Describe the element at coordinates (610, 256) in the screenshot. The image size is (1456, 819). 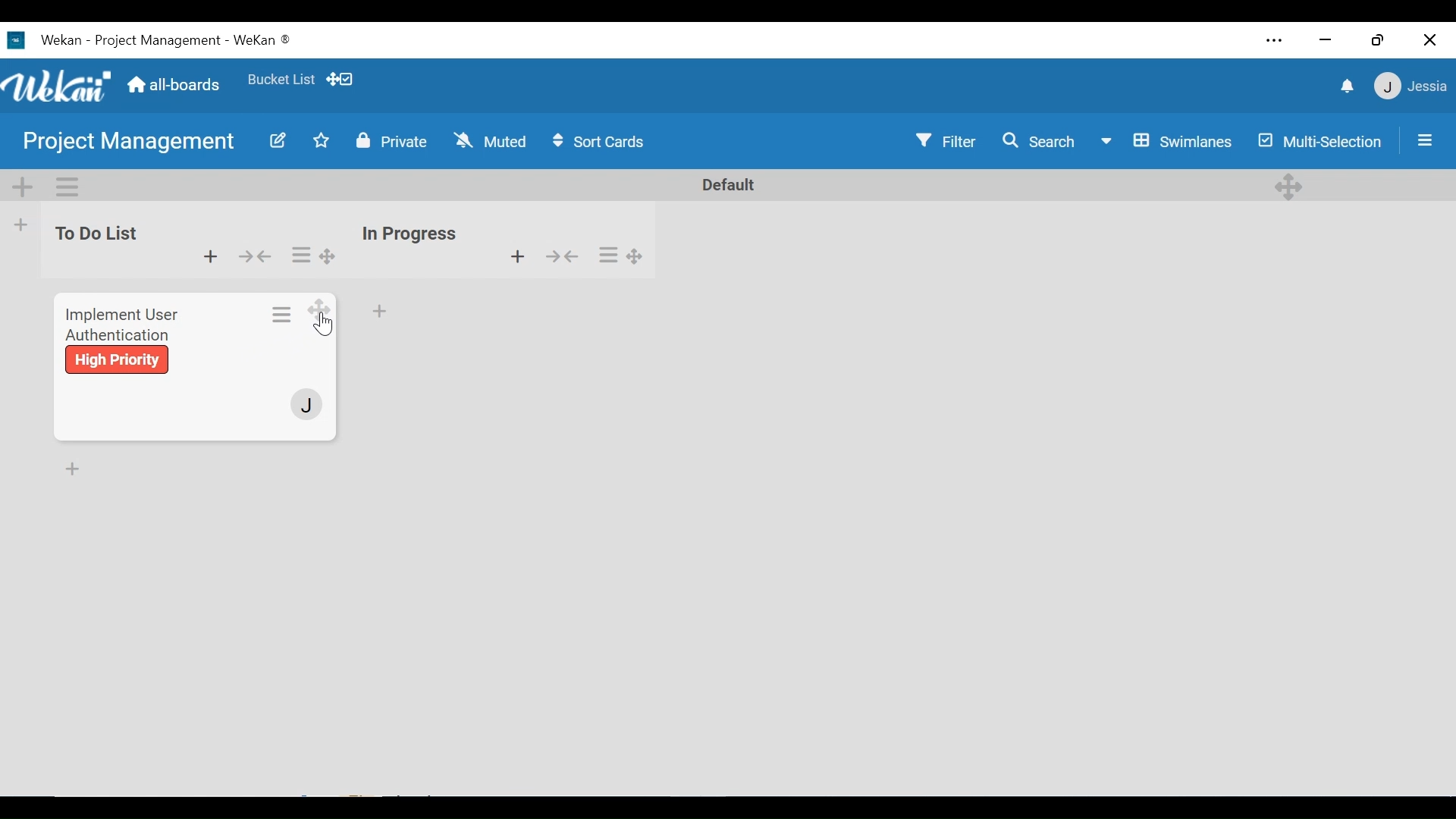
I see `list actions` at that location.